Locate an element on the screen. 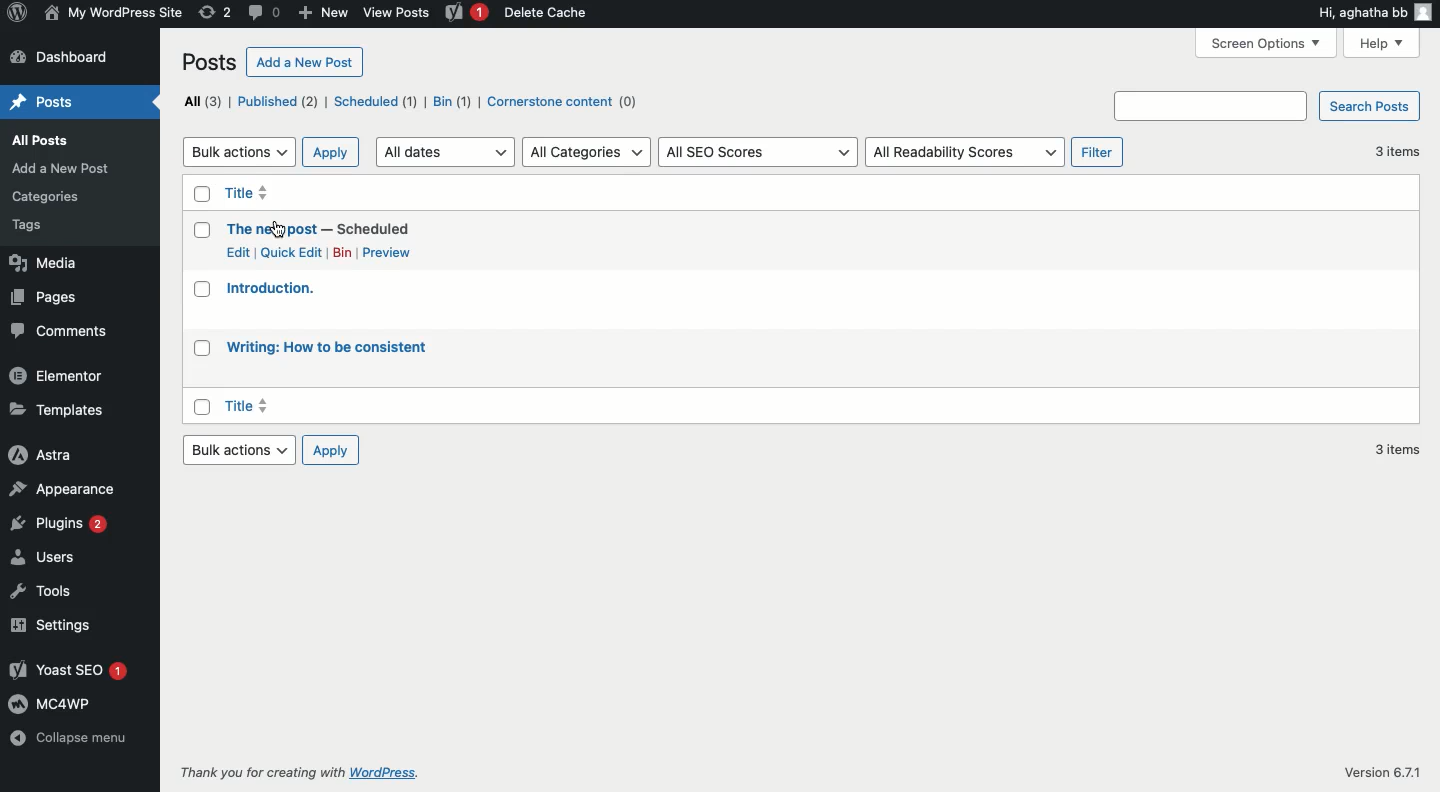 The height and width of the screenshot is (792, 1440). New is located at coordinates (323, 14).